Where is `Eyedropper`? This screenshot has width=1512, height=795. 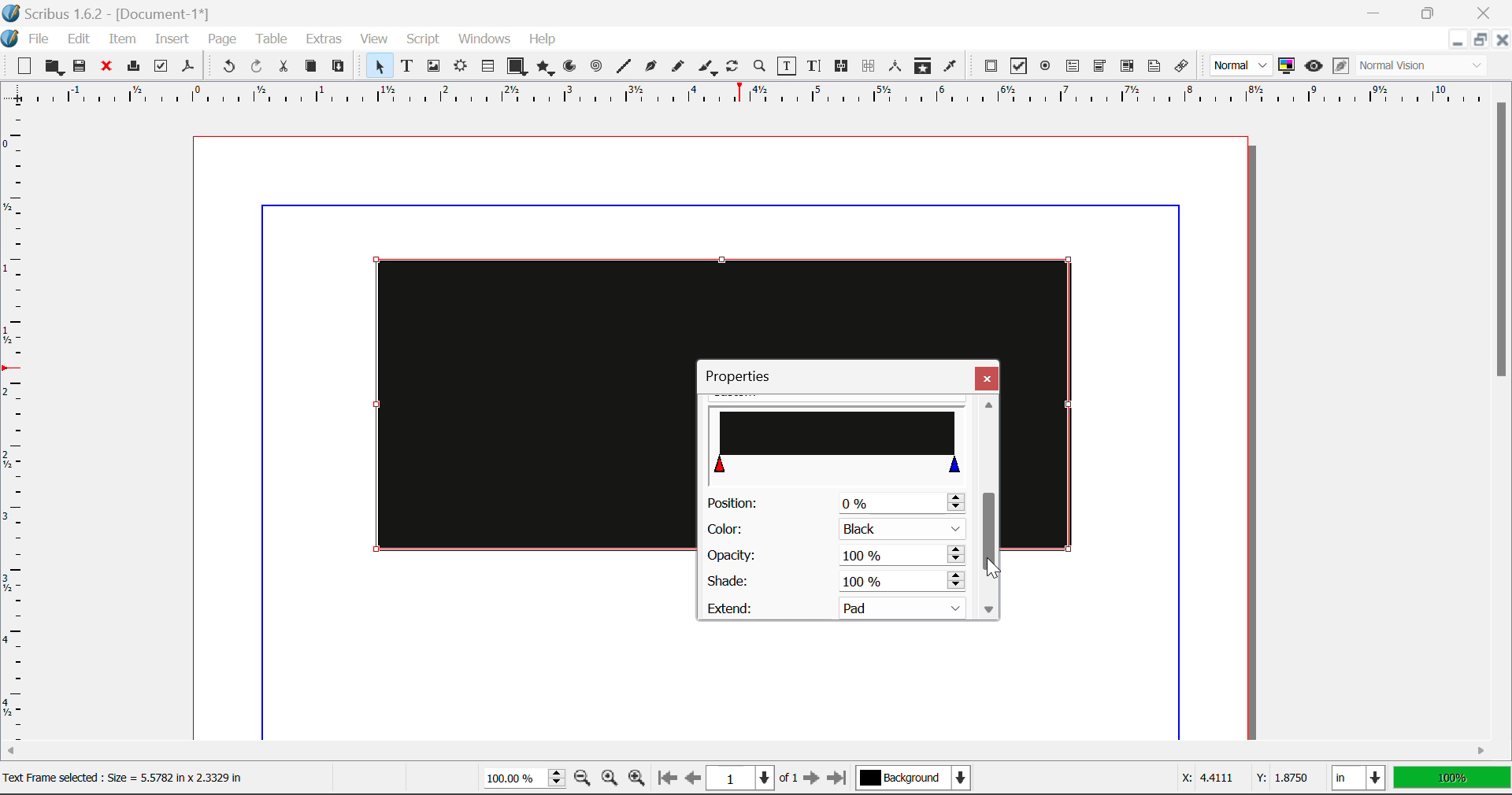
Eyedropper is located at coordinates (950, 68).